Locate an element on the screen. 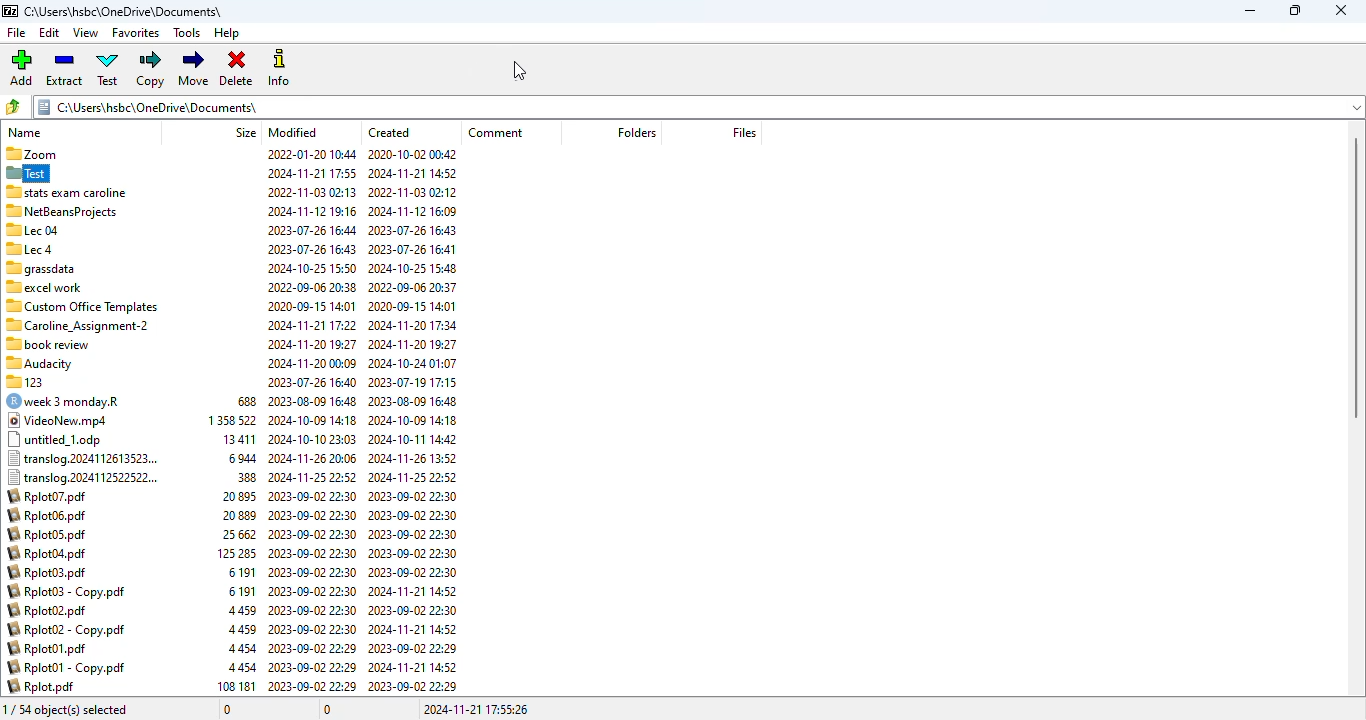  123 is located at coordinates (24, 383).